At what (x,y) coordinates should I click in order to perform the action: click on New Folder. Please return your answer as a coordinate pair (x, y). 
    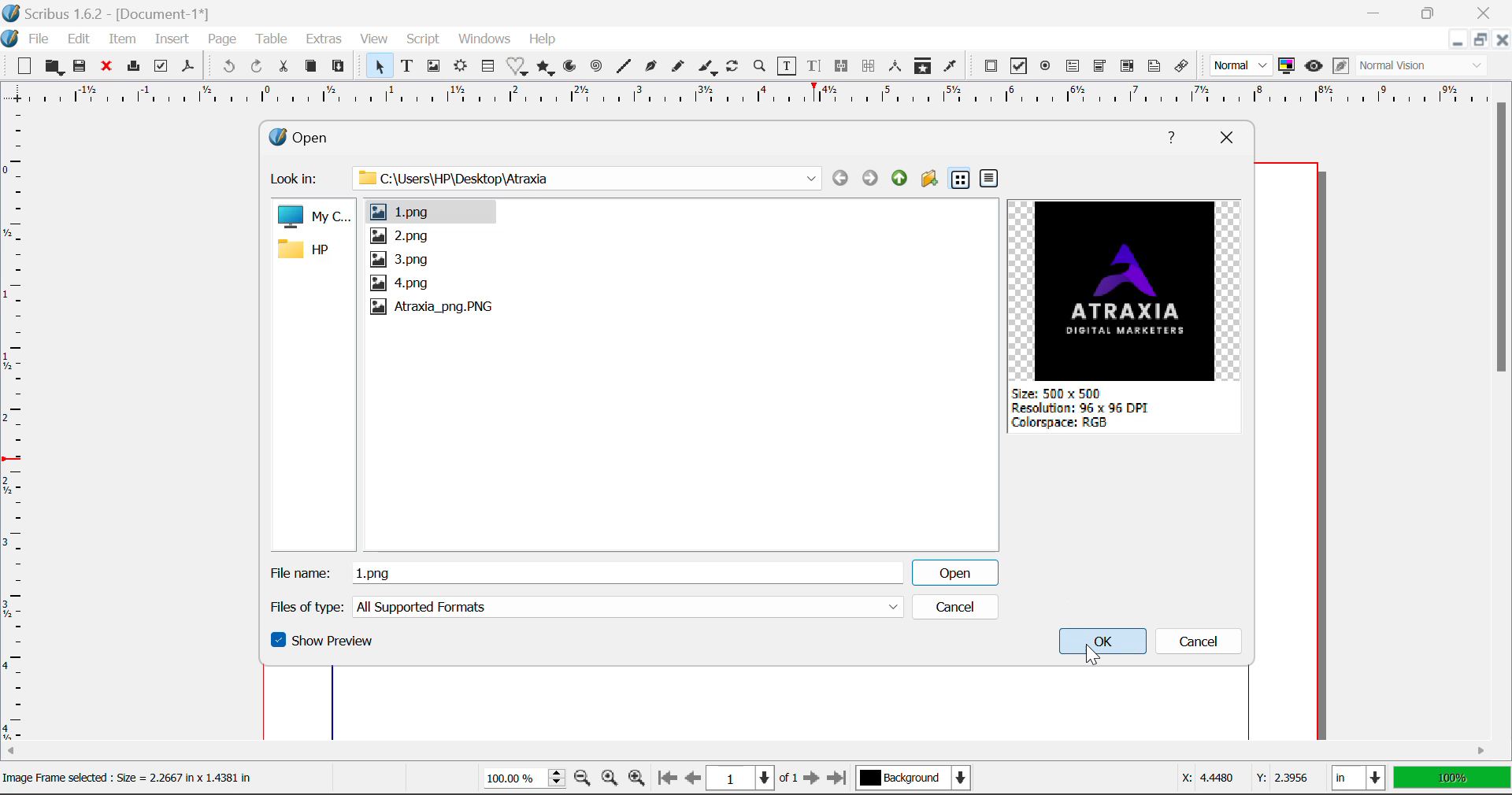
    Looking at the image, I should click on (929, 180).